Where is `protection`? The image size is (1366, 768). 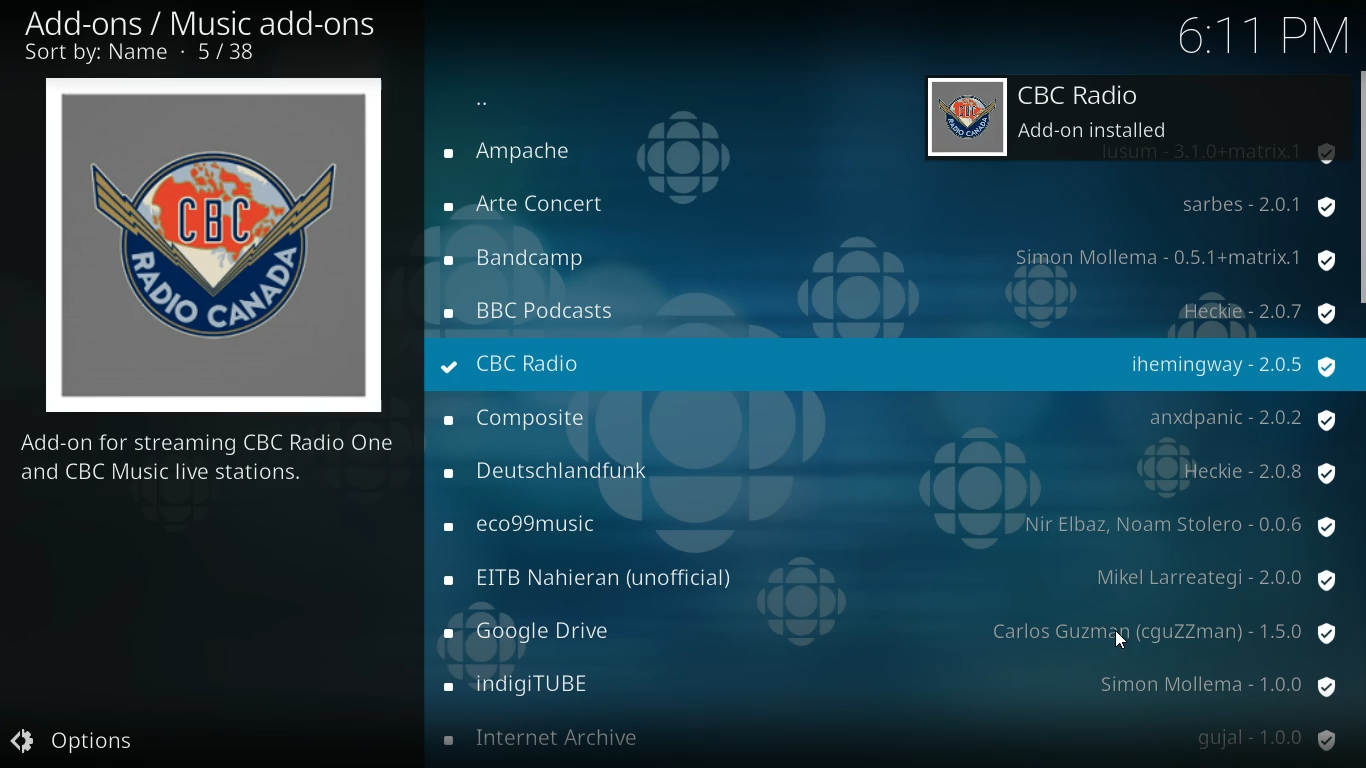 protection is located at coordinates (1209, 581).